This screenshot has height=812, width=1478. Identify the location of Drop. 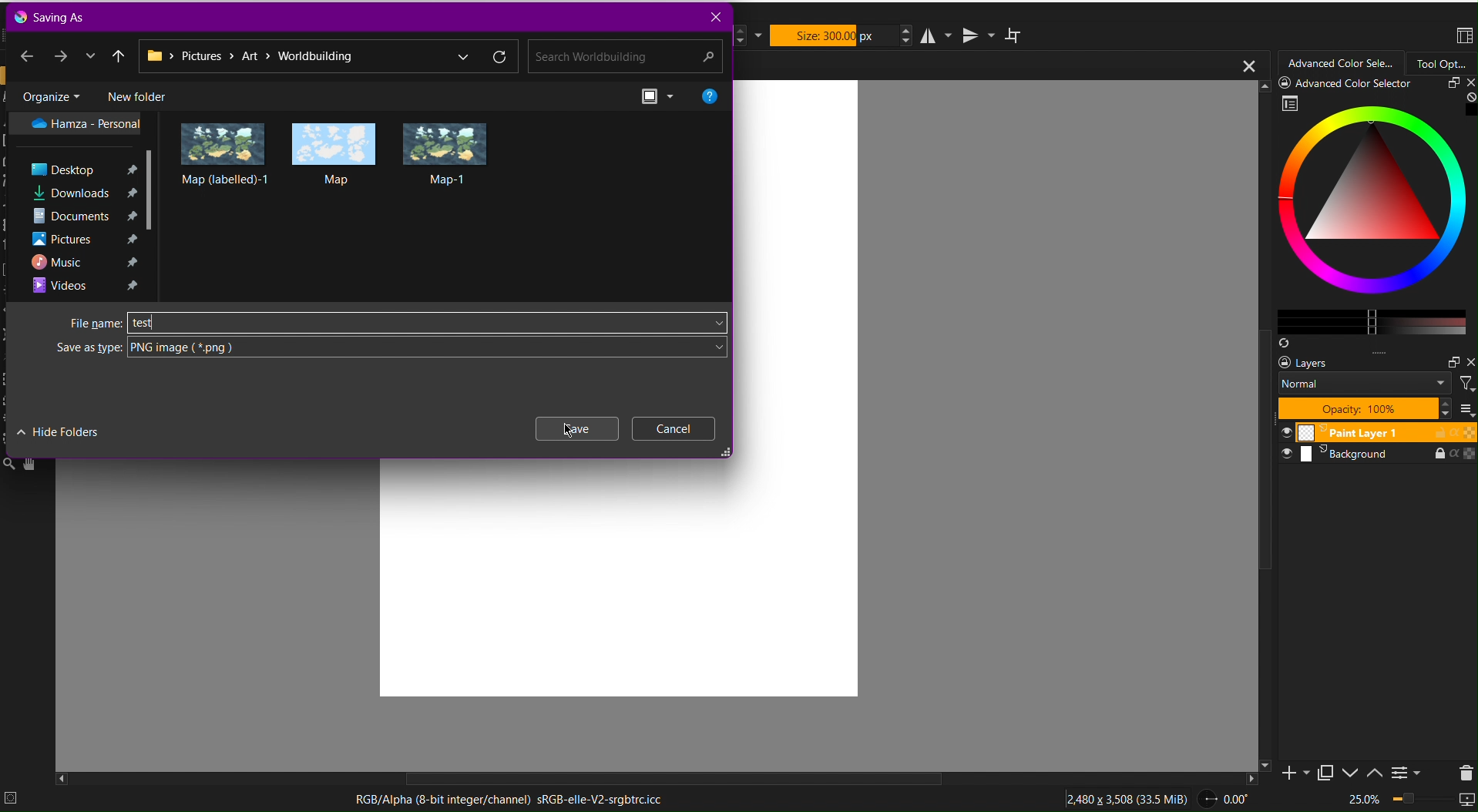
(90, 55).